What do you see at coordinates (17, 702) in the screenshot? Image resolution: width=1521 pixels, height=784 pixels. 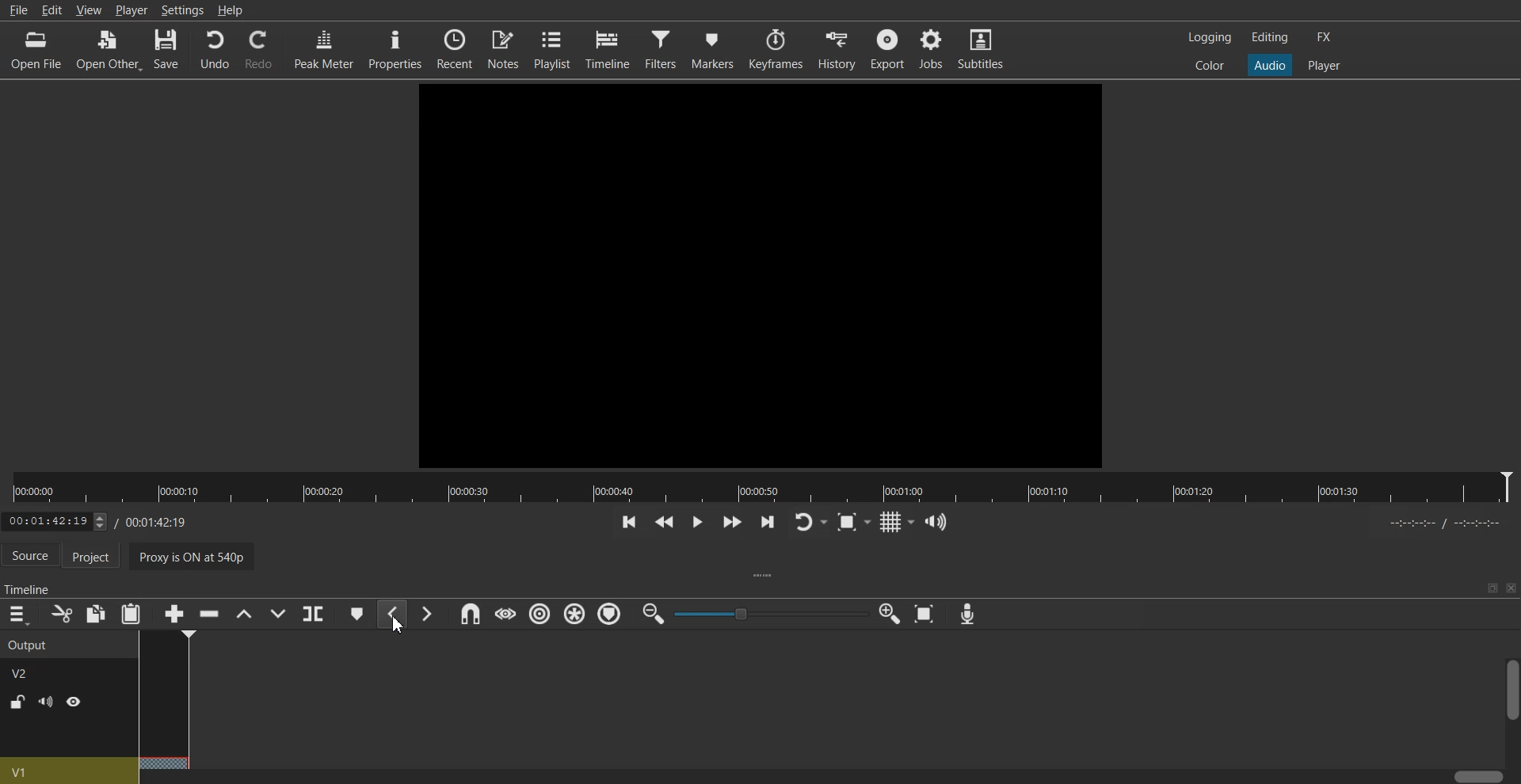 I see `Lock` at bounding box center [17, 702].